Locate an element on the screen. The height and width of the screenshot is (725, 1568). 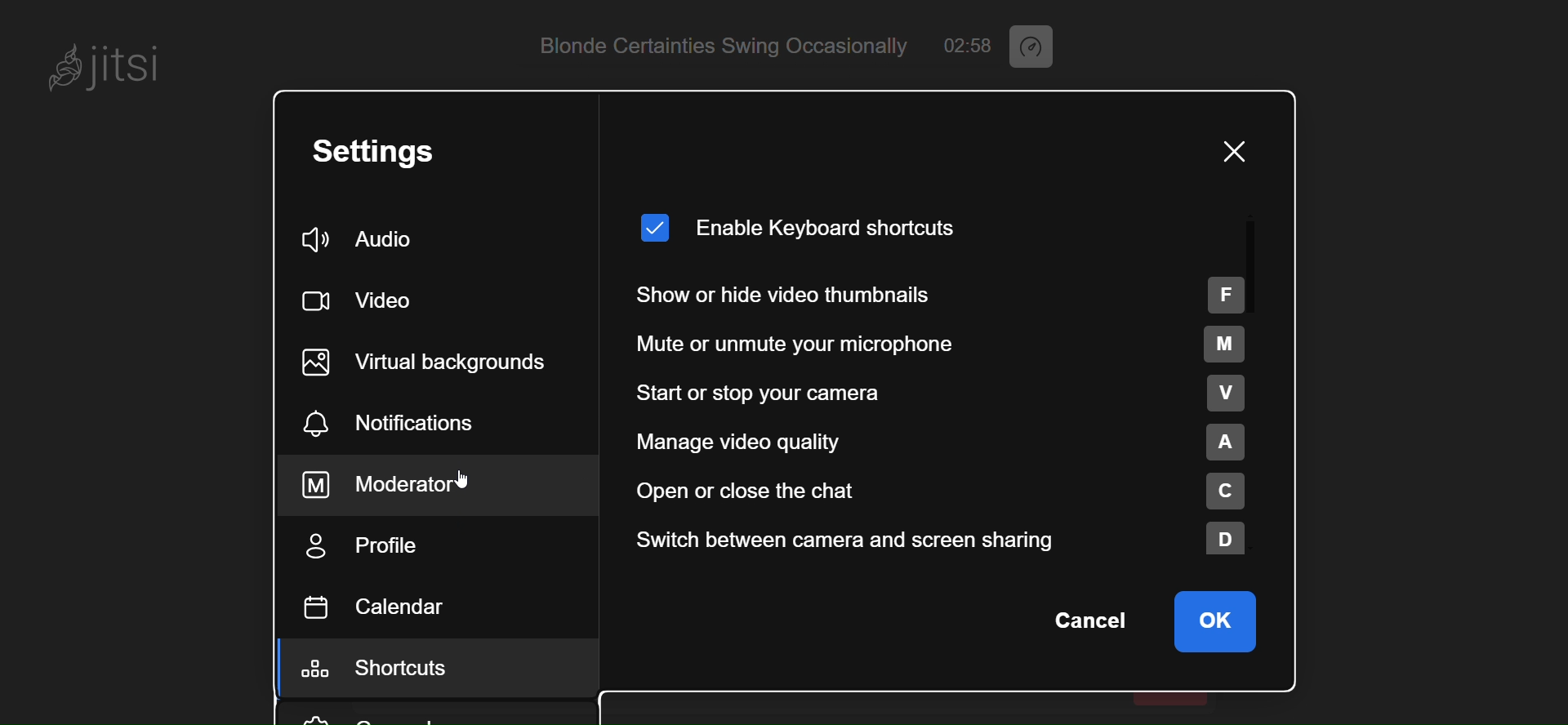
show or hide video thumbnail is located at coordinates (942, 293).